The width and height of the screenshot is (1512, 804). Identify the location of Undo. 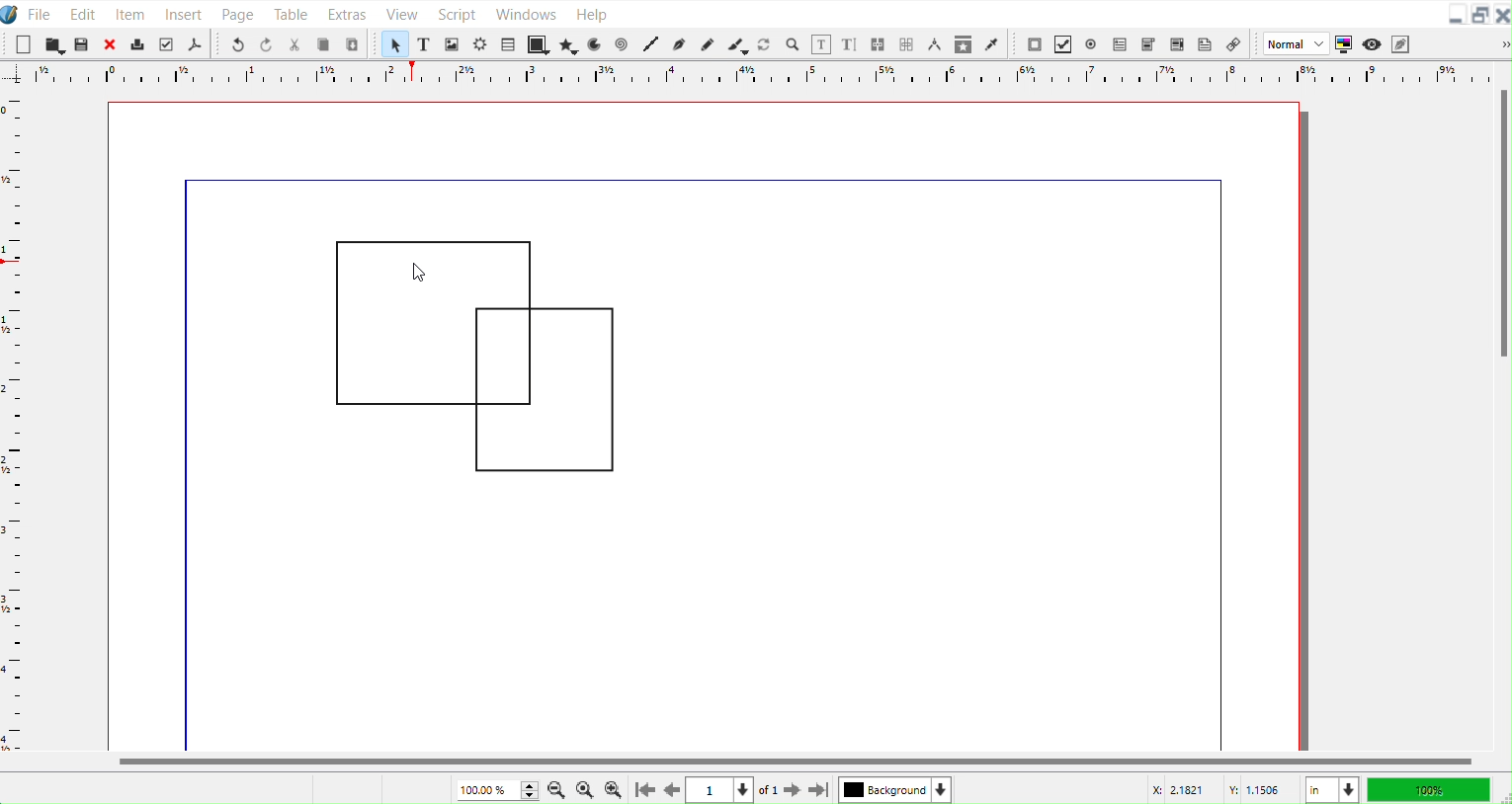
(237, 43).